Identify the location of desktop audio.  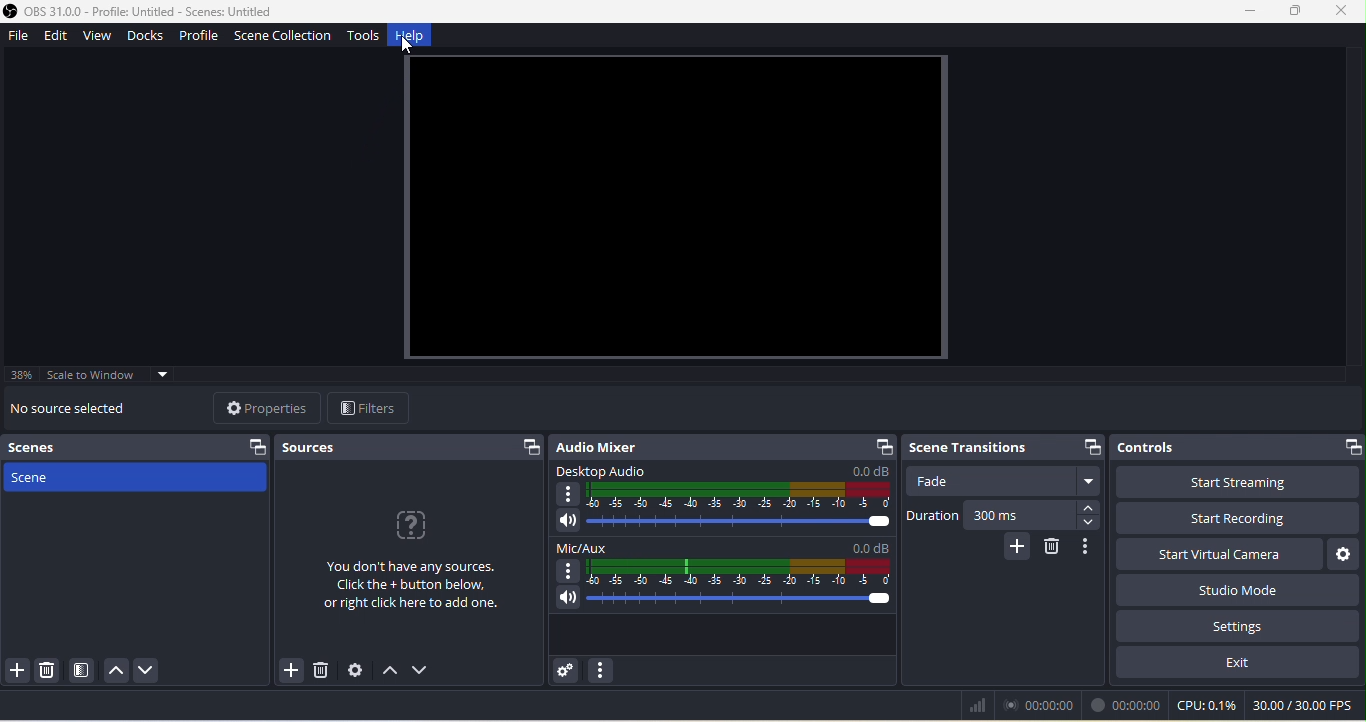
(719, 489).